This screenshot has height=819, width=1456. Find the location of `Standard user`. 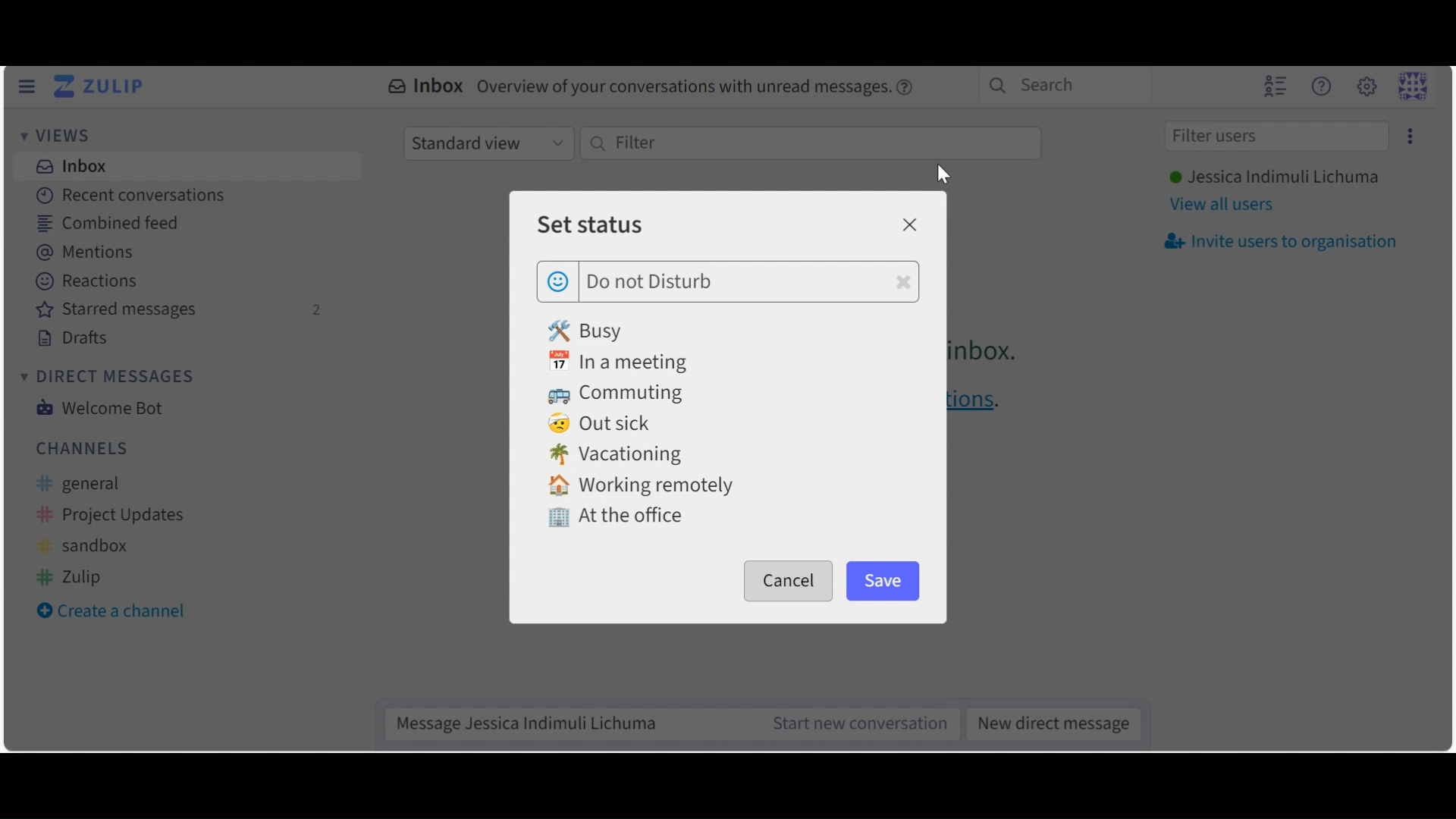

Standard user is located at coordinates (488, 143).